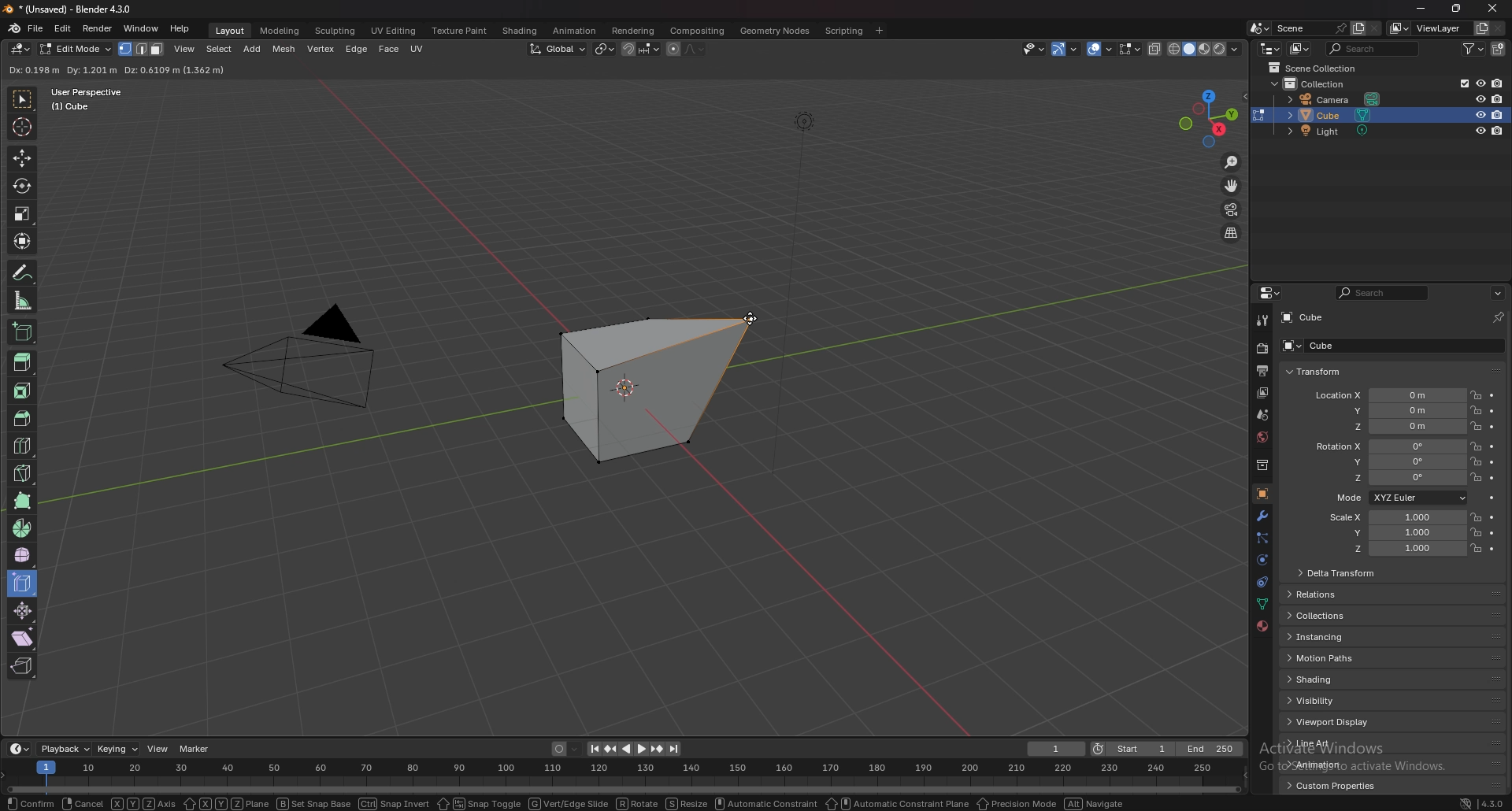 This screenshot has width=1512, height=811. Describe the element at coordinates (220, 50) in the screenshot. I see `select` at that location.